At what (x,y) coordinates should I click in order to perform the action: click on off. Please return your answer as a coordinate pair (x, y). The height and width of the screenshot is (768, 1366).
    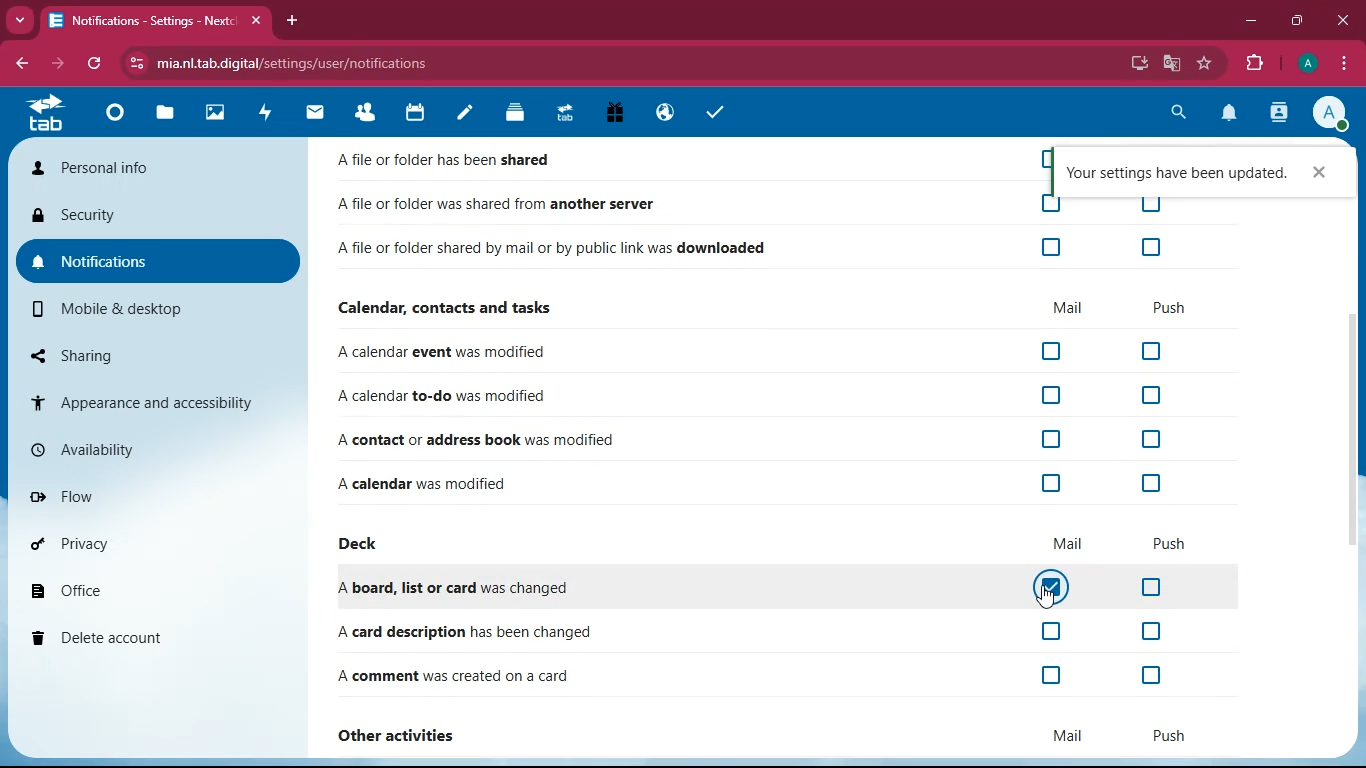
    Looking at the image, I should click on (1151, 436).